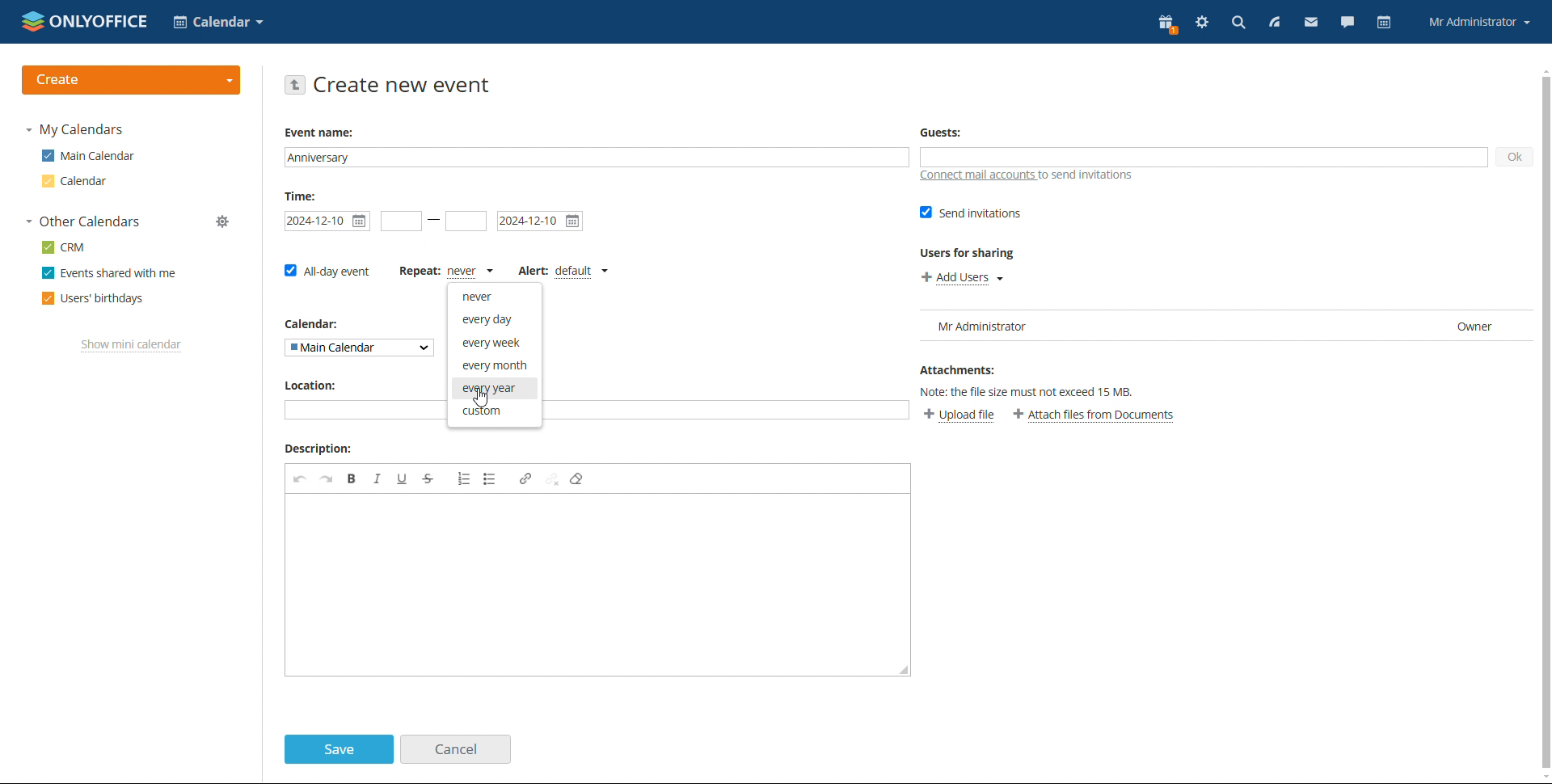 The image size is (1552, 784). Describe the element at coordinates (405, 86) in the screenshot. I see `create new event` at that location.